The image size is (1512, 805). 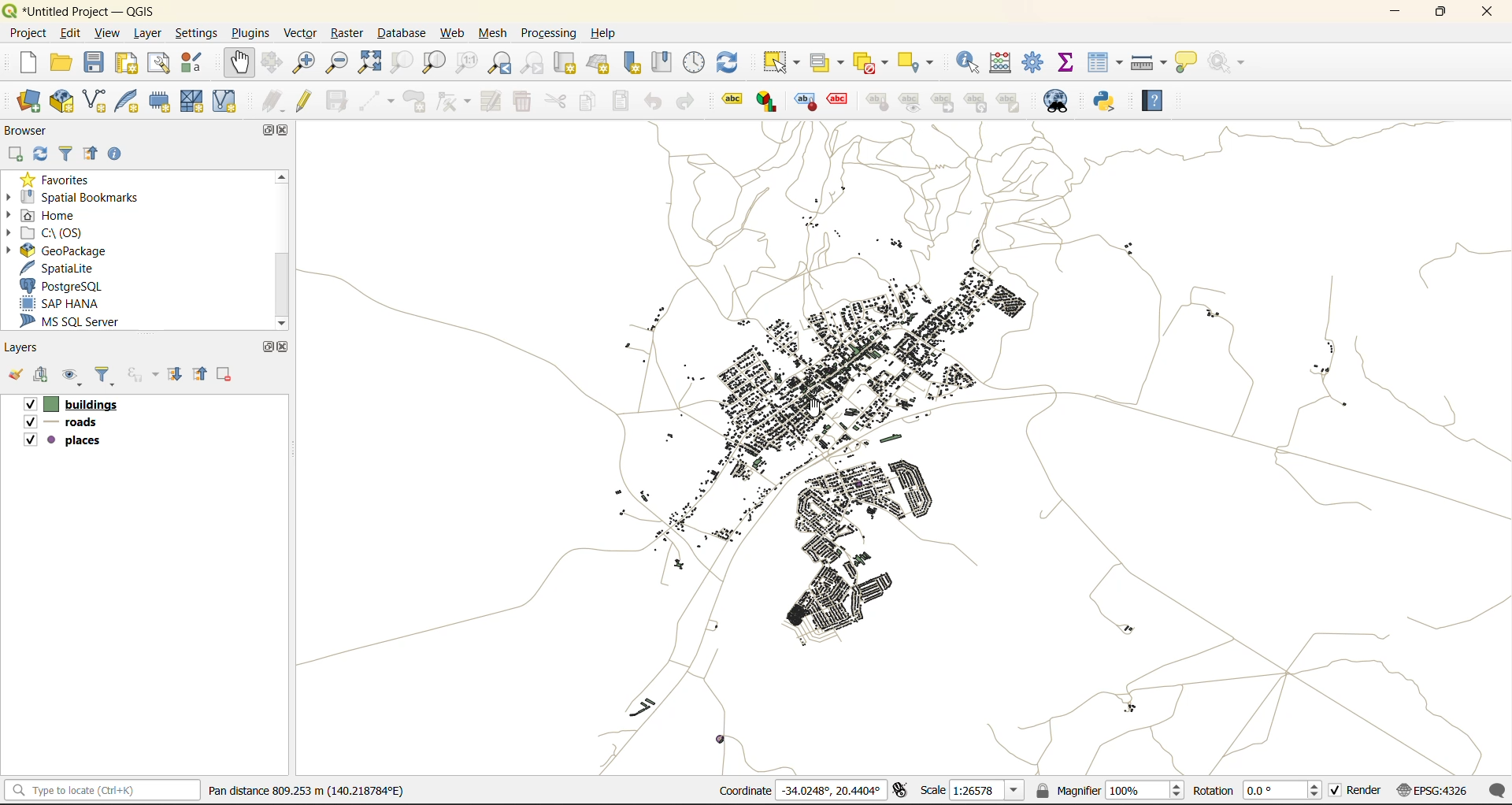 What do you see at coordinates (248, 32) in the screenshot?
I see `plugins` at bounding box center [248, 32].